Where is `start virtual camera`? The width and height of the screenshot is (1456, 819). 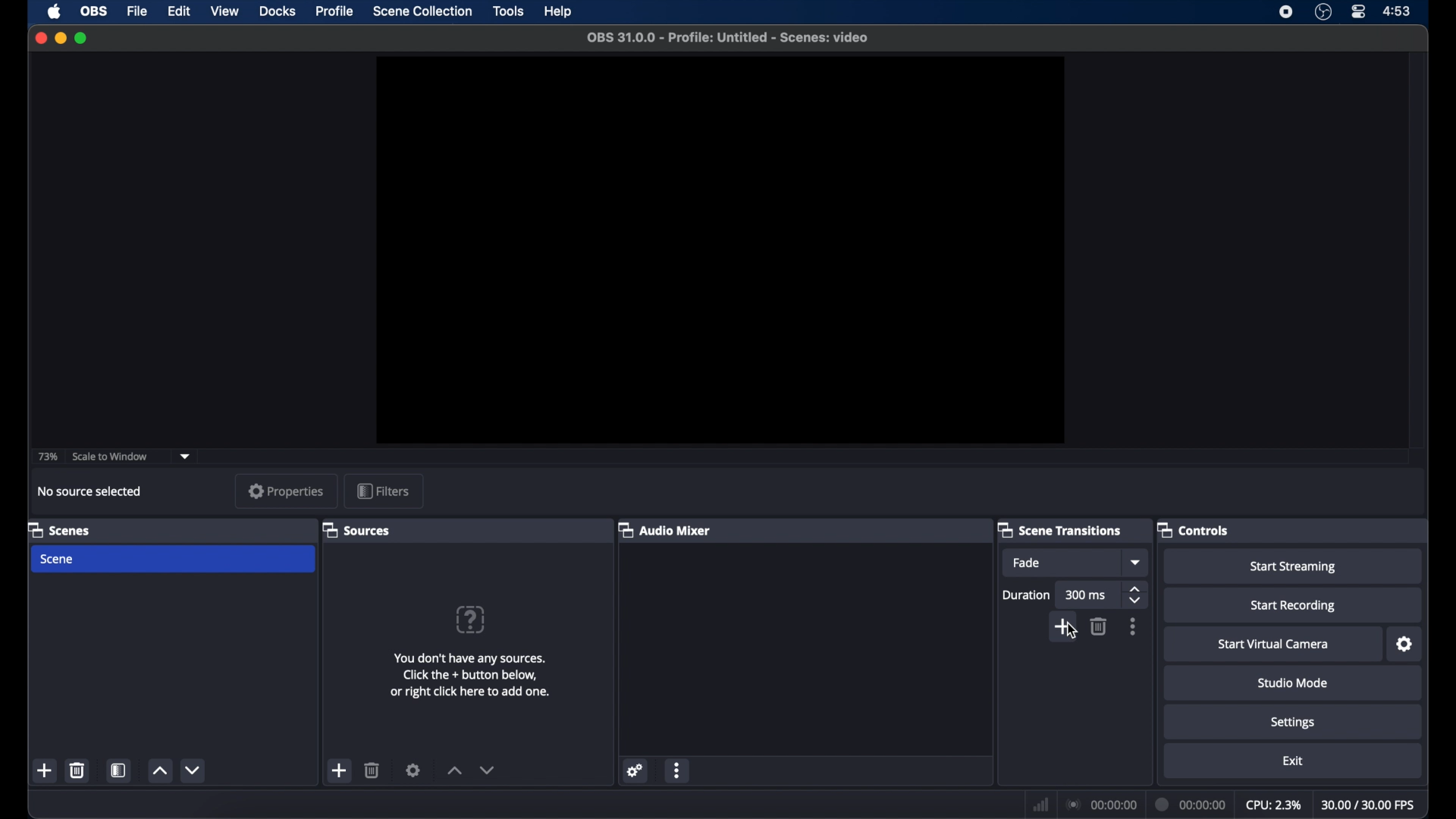
start virtual camera is located at coordinates (1272, 645).